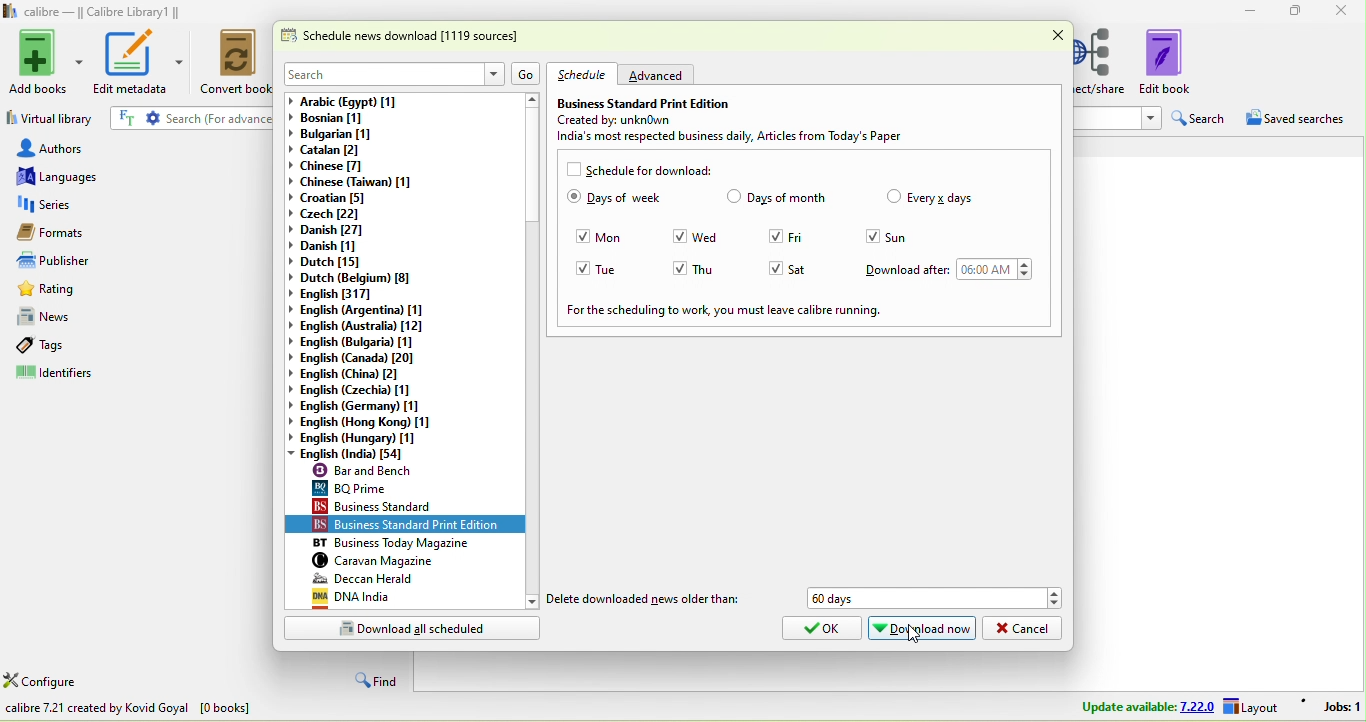 The width and height of the screenshot is (1366, 722). What do you see at coordinates (413, 543) in the screenshot?
I see `business today magazine` at bounding box center [413, 543].